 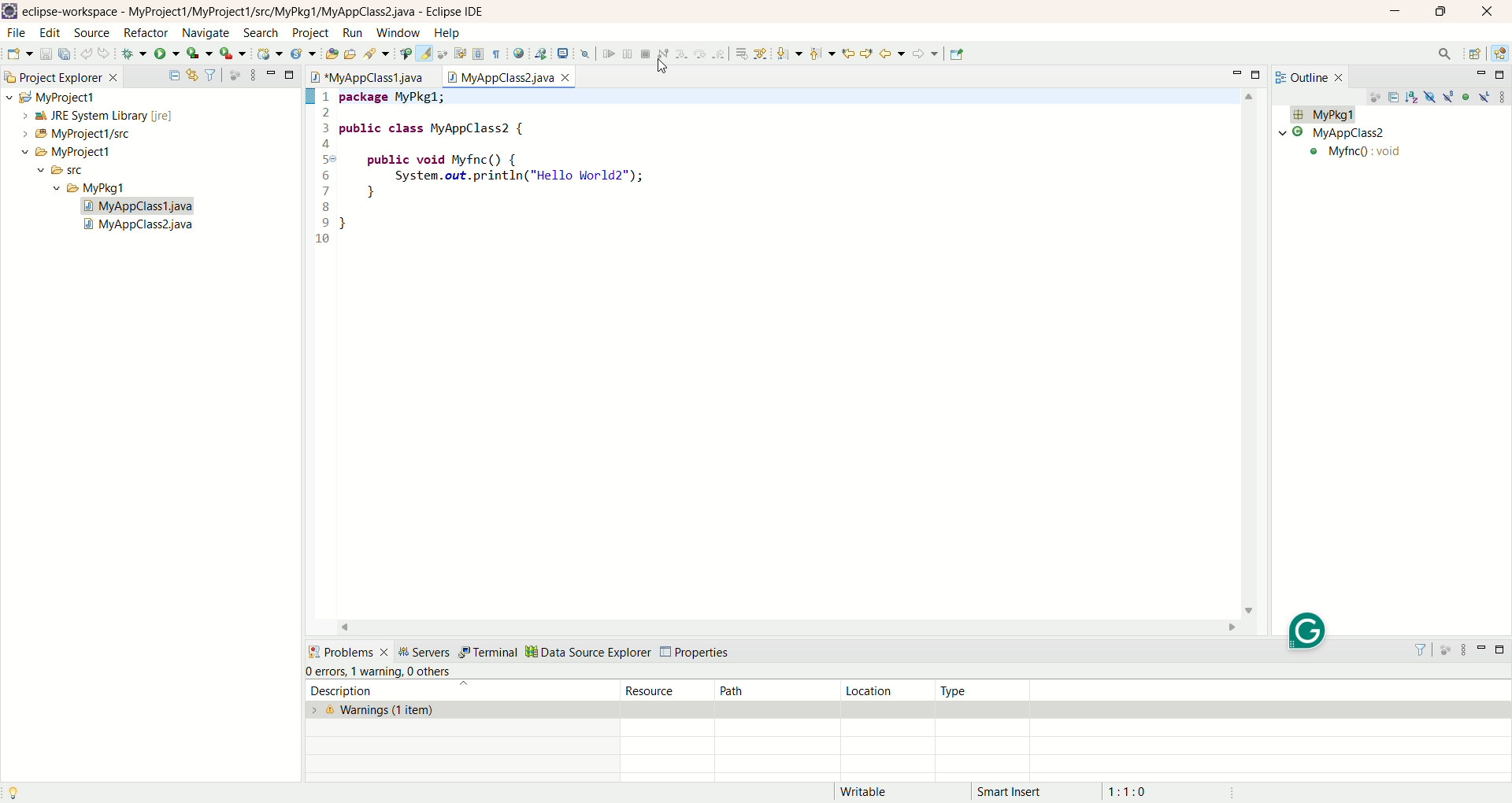 What do you see at coordinates (374, 54) in the screenshot?
I see `search` at bounding box center [374, 54].